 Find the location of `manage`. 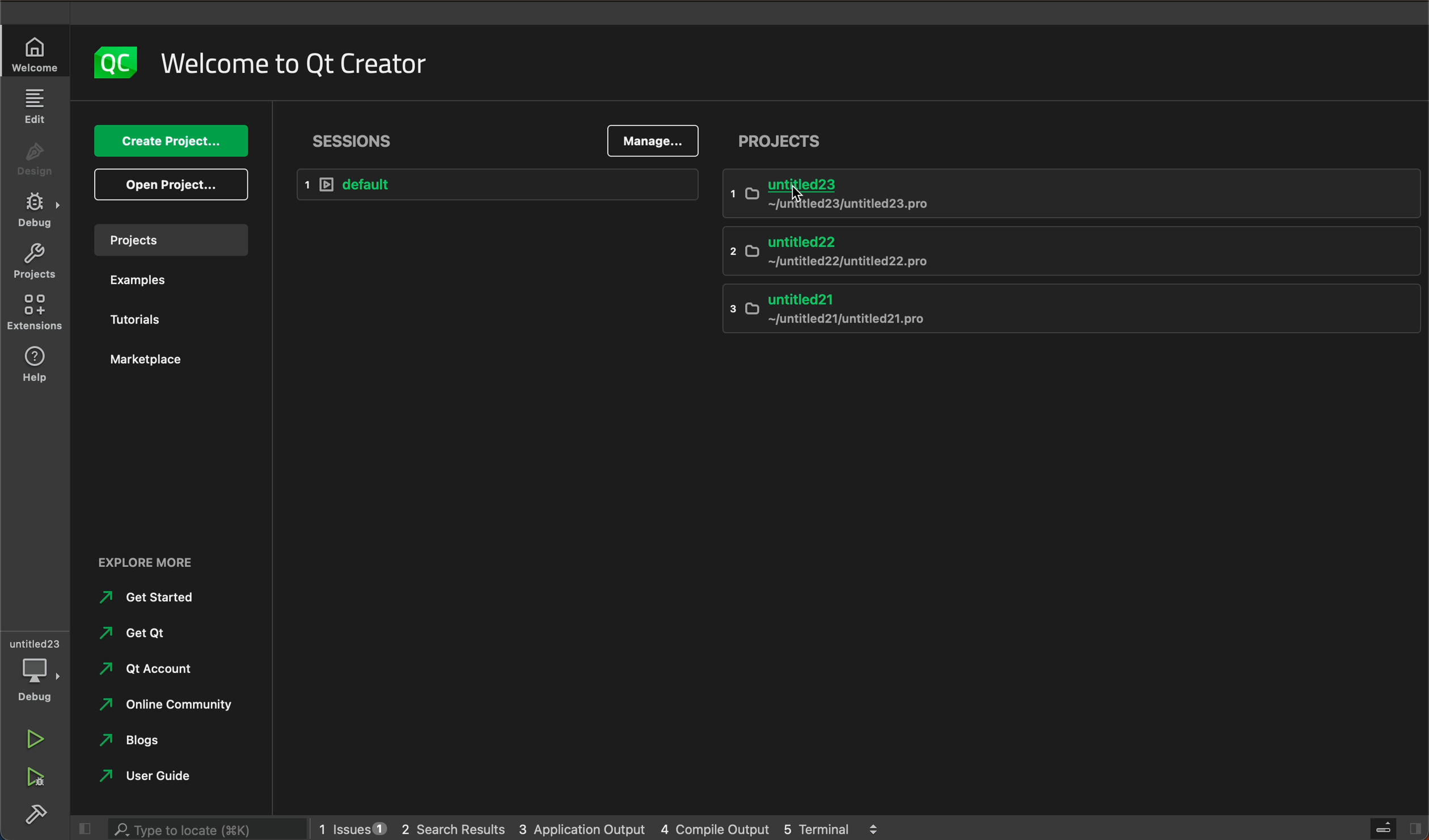

manage is located at coordinates (652, 139).